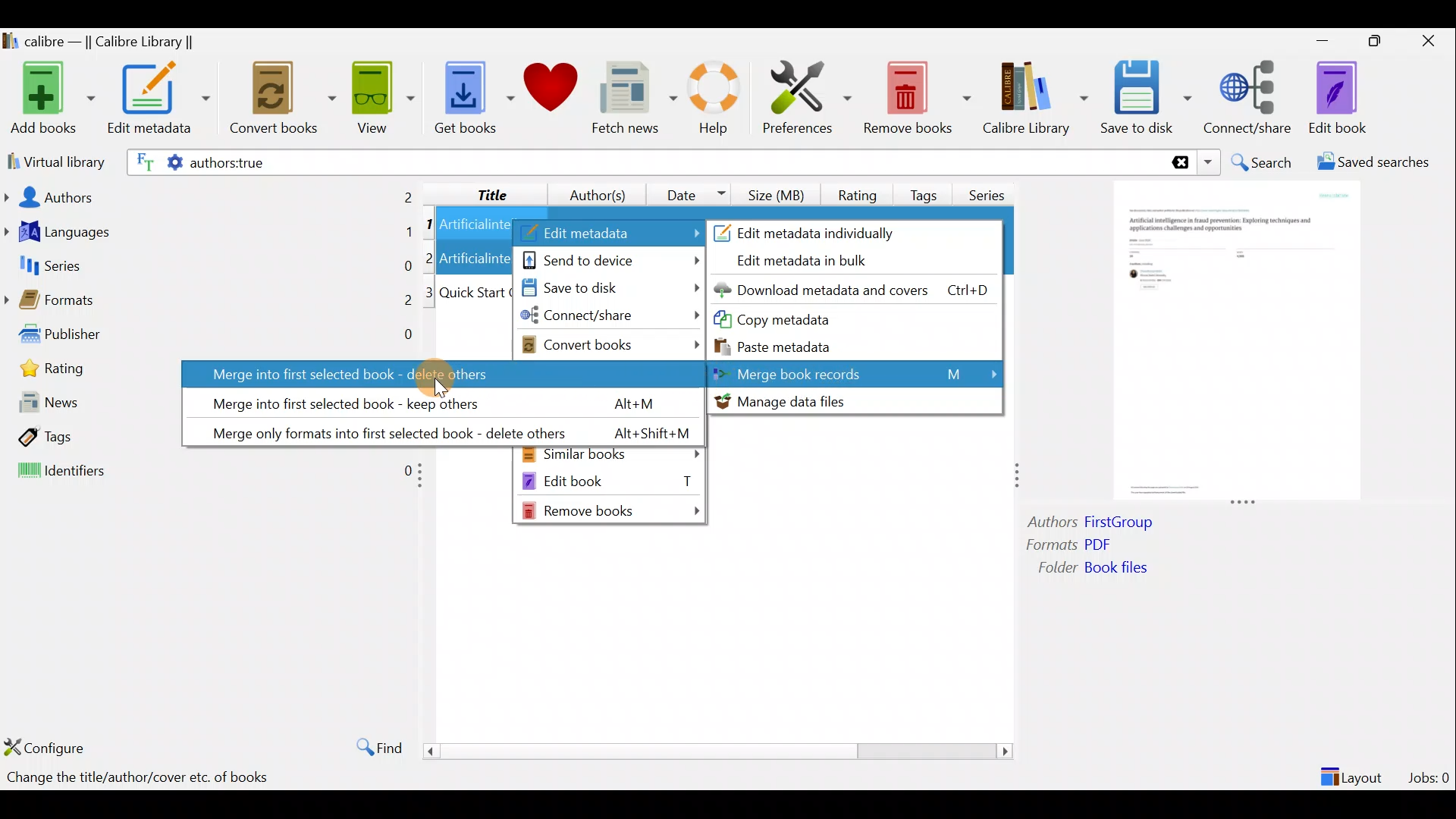 This screenshot has height=819, width=1456. What do you see at coordinates (209, 234) in the screenshot?
I see `Languages` at bounding box center [209, 234].